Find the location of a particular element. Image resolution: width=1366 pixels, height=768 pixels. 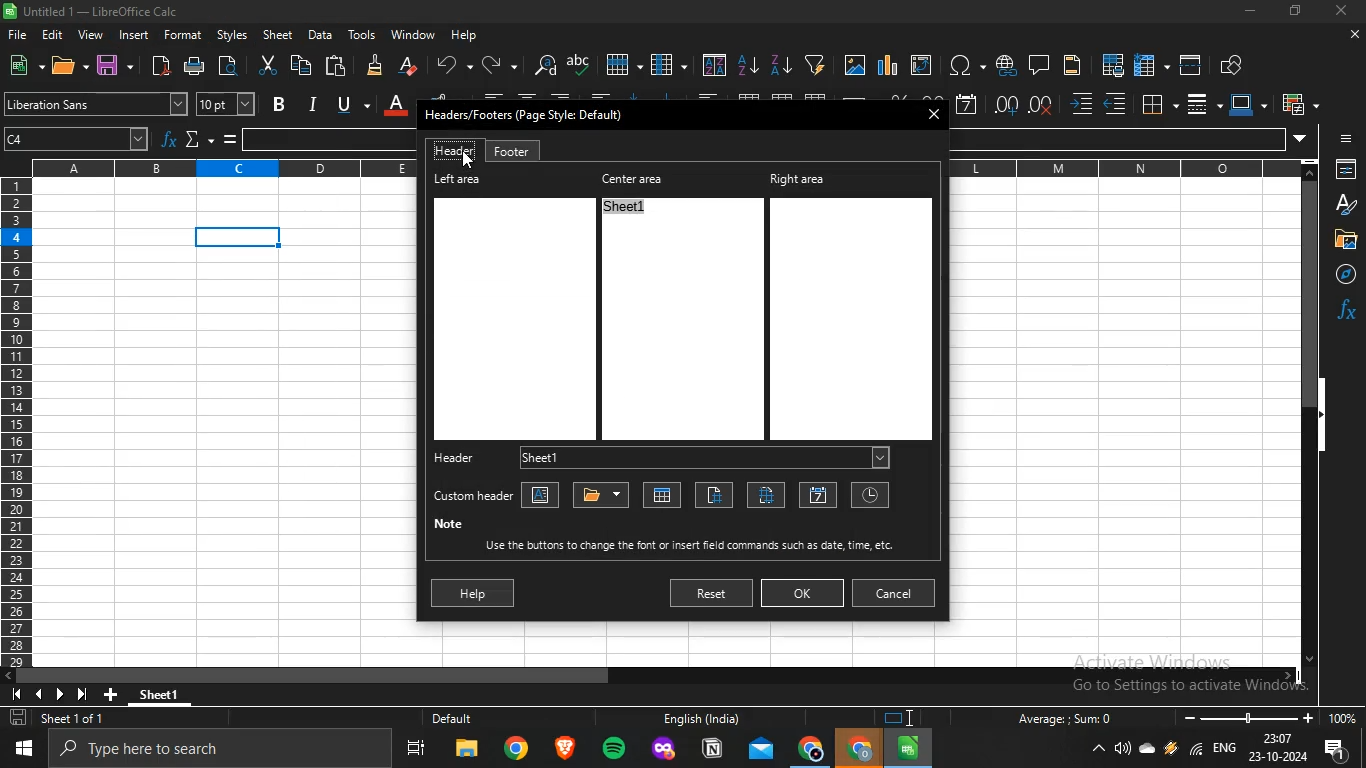

sheet1 is located at coordinates (171, 692).